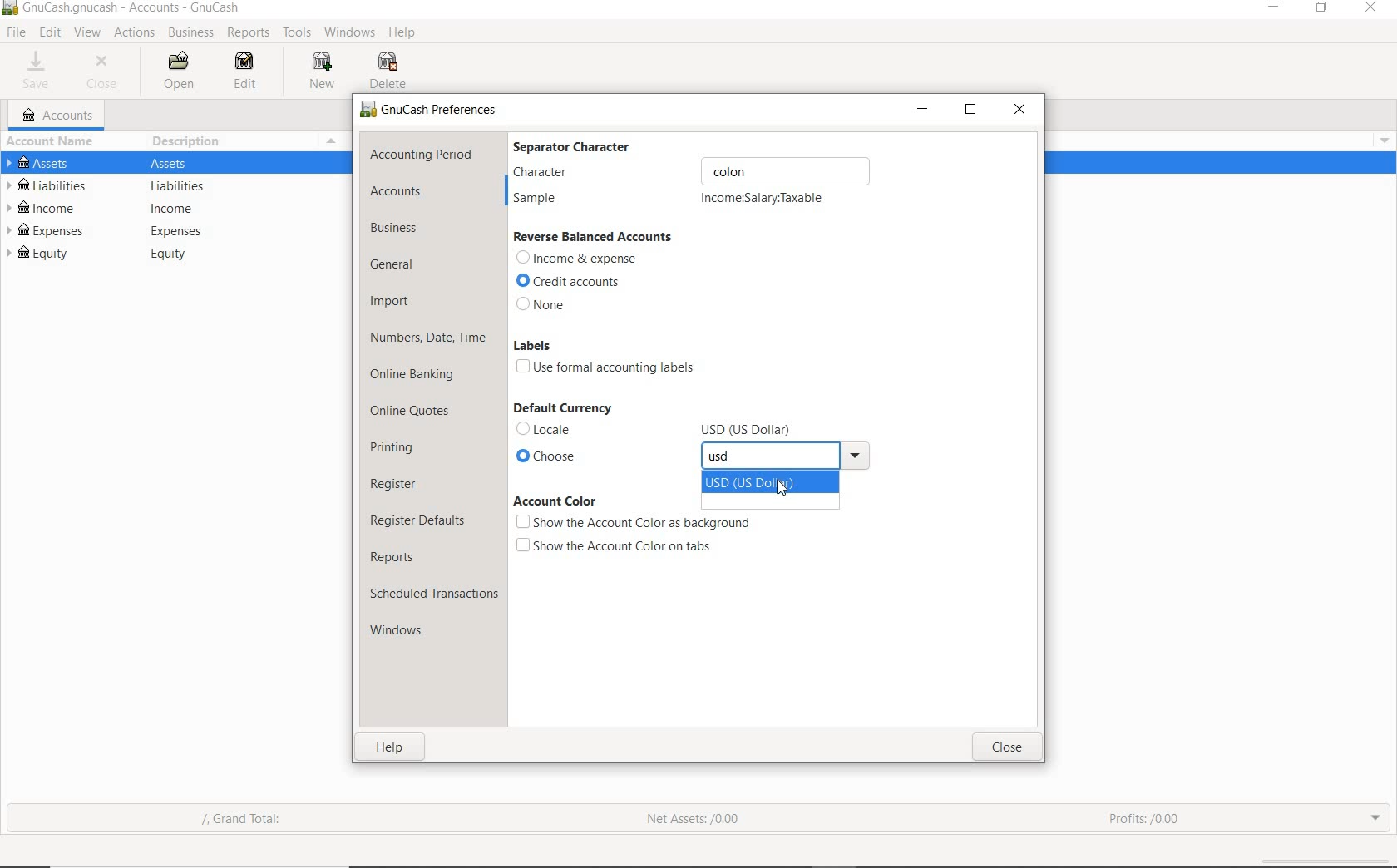 The image size is (1397, 868). Describe the element at coordinates (55, 207) in the screenshot. I see `INCOME` at that location.